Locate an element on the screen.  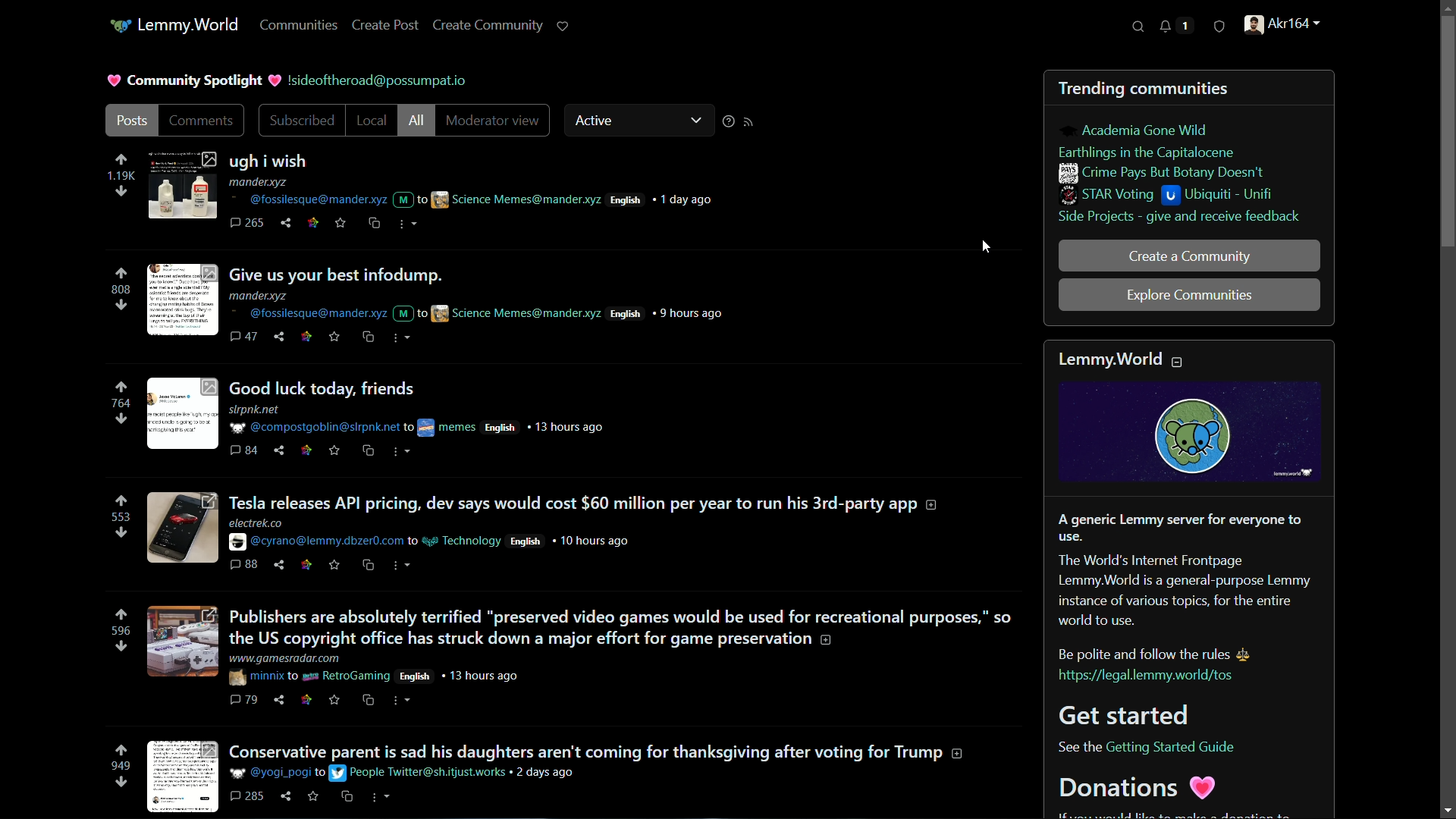
slrpnk.net is located at coordinates (256, 410).